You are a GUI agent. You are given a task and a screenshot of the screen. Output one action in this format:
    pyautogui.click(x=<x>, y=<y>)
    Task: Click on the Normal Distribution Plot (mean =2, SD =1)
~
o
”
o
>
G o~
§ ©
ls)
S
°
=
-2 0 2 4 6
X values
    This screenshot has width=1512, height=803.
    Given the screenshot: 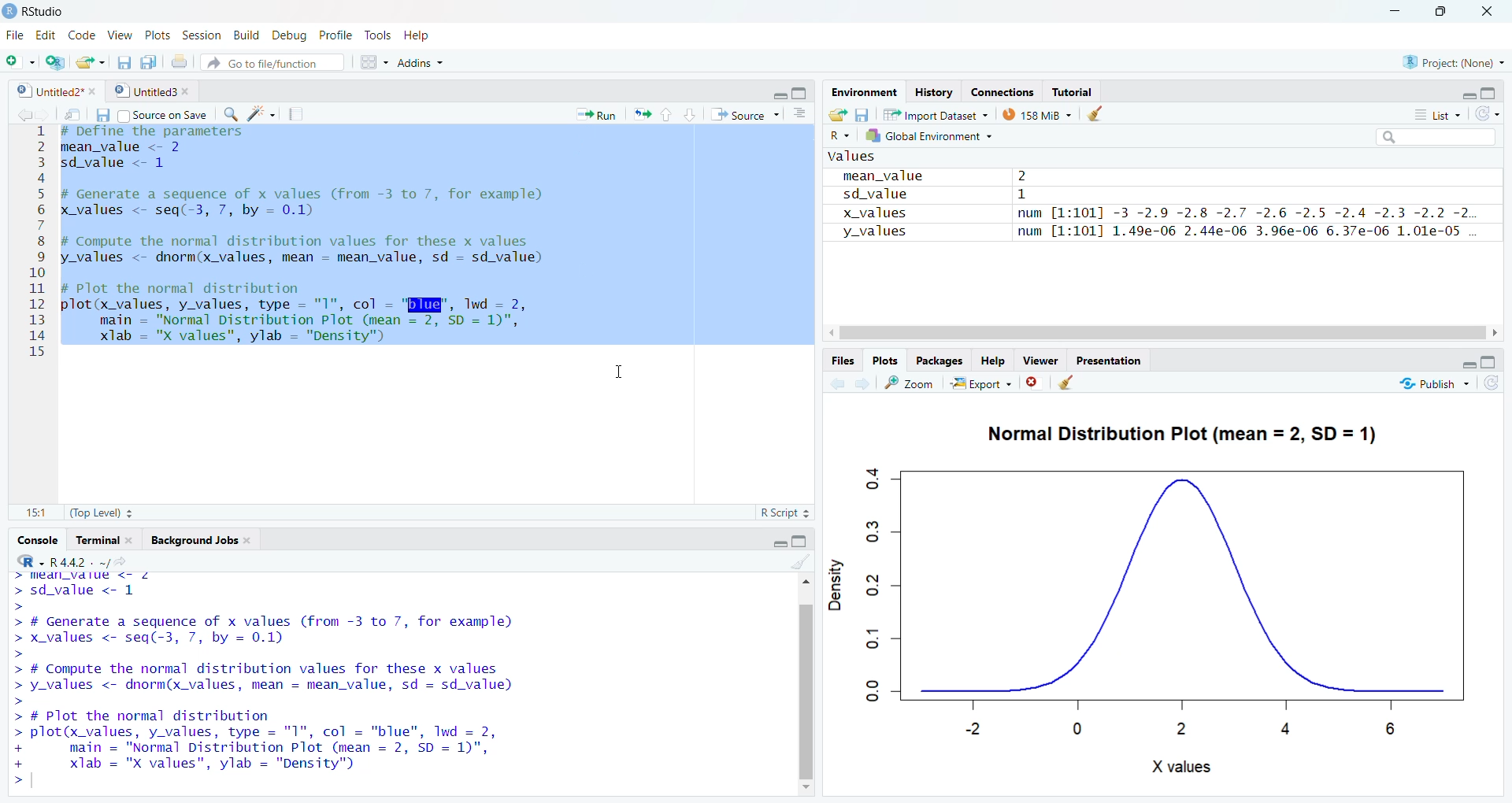 What is the action you would take?
    pyautogui.click(x=1160, y=589)
    